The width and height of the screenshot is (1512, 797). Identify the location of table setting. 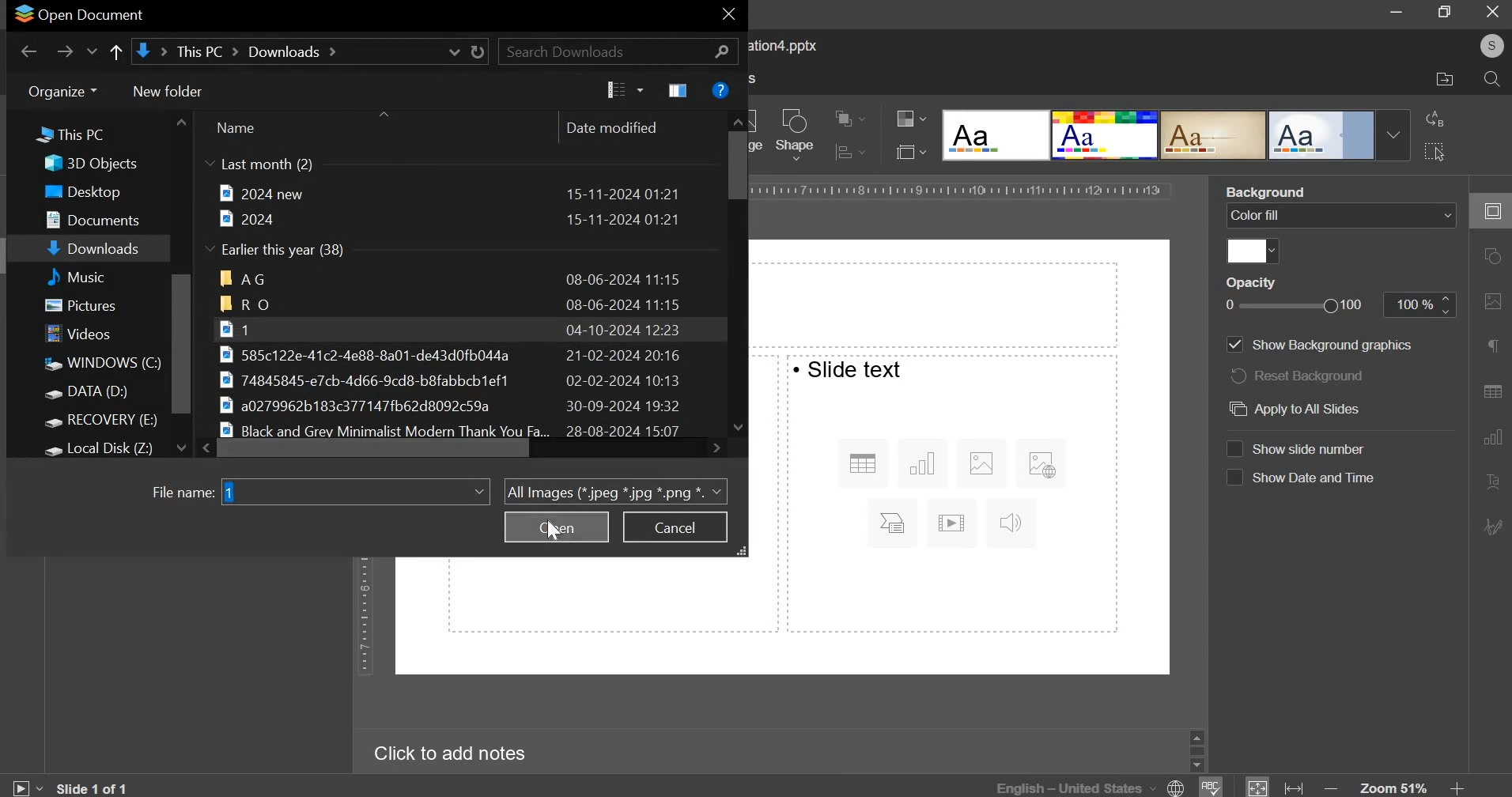
(1491, 387).